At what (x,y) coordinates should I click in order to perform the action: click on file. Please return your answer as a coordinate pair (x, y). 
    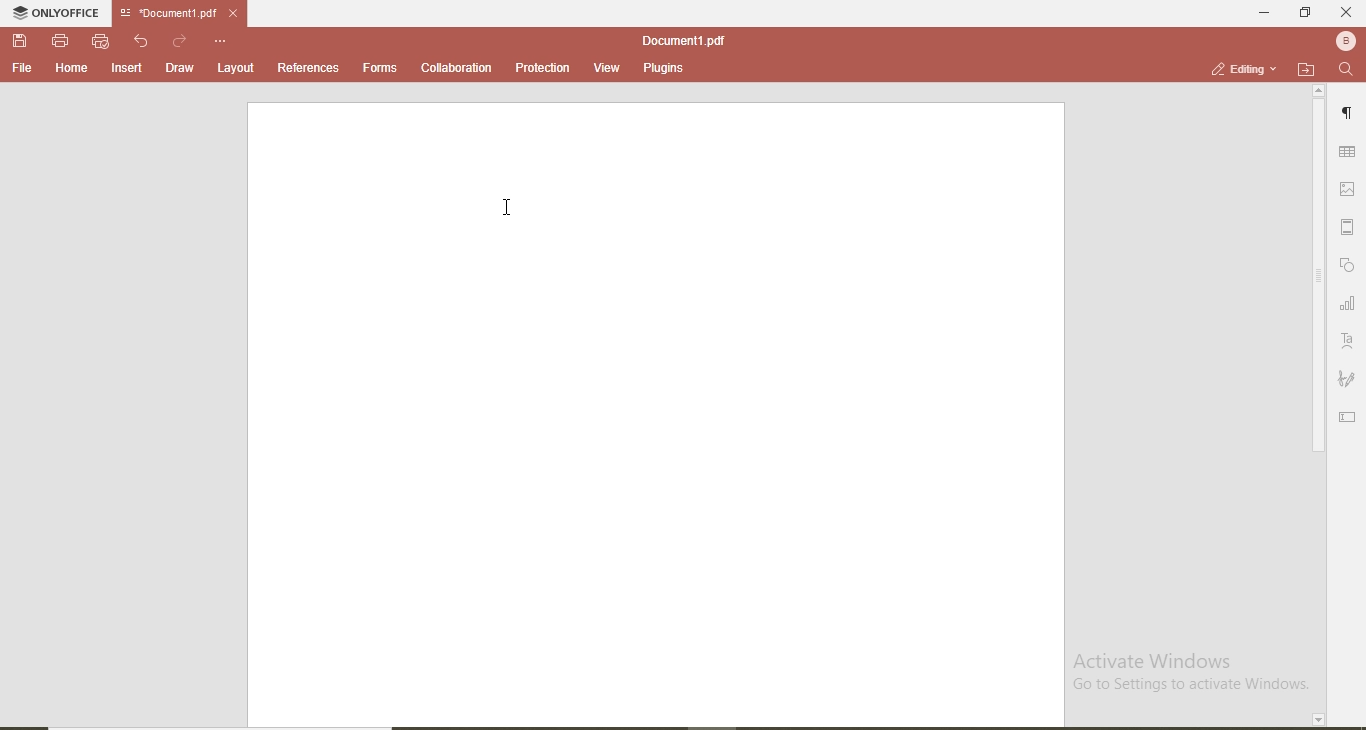
    Looking at the image, I should click on (21, 69).